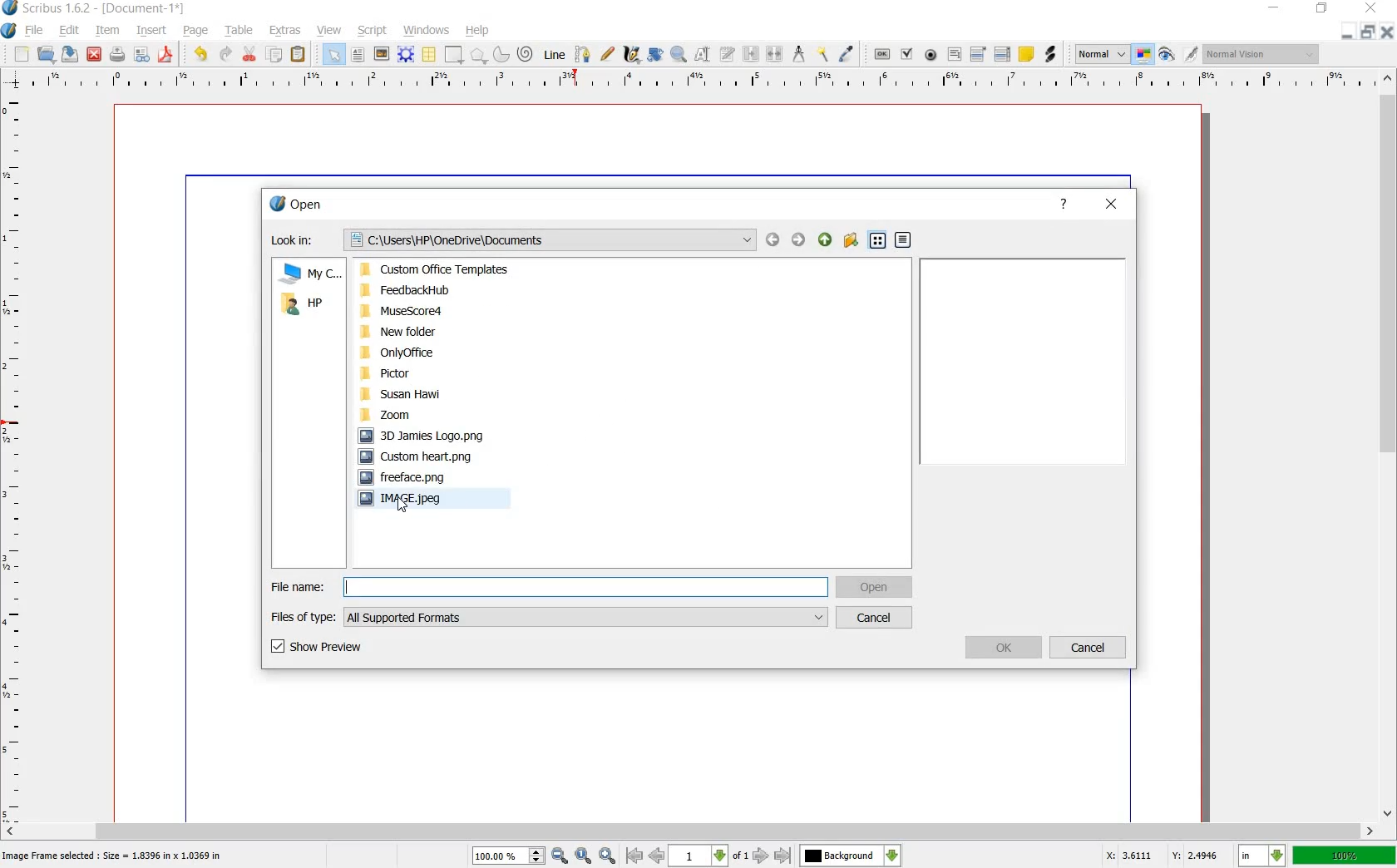  What do you see at coordinates (46, 55) in the screenshot?
I see `open` at bounding box center [46, 55].